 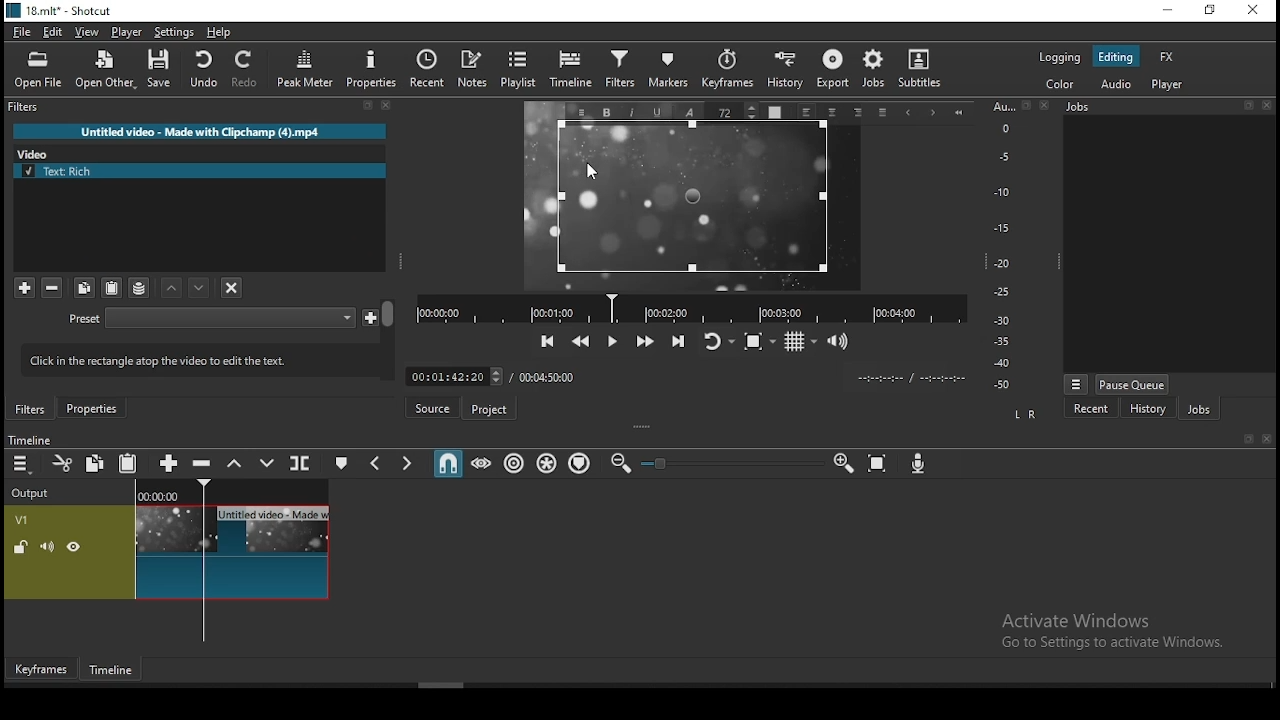 I want to click on overwrite, so click(x=266, y=462).